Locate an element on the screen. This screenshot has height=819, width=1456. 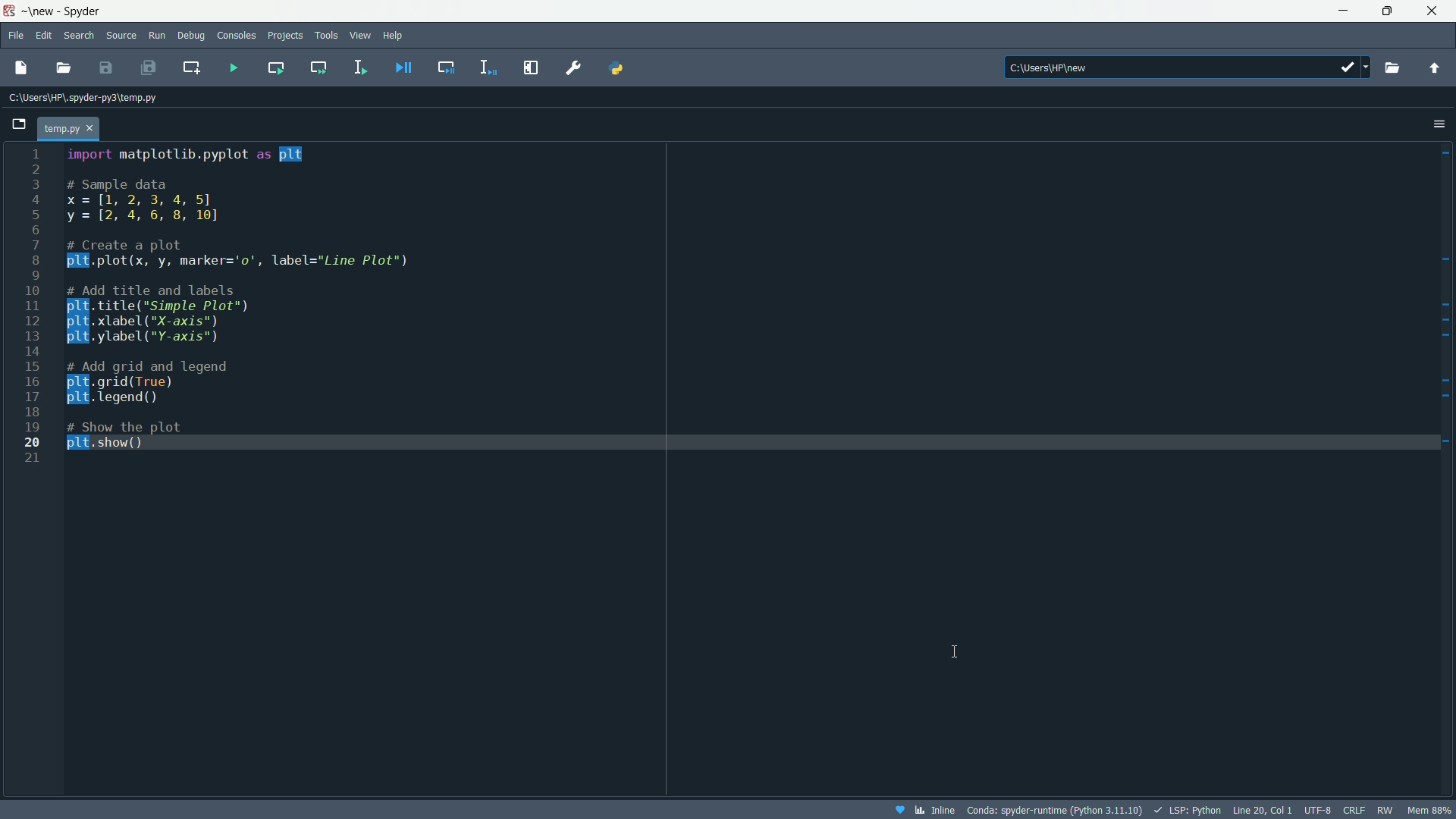
preferences is located at coordinates (575, 67).